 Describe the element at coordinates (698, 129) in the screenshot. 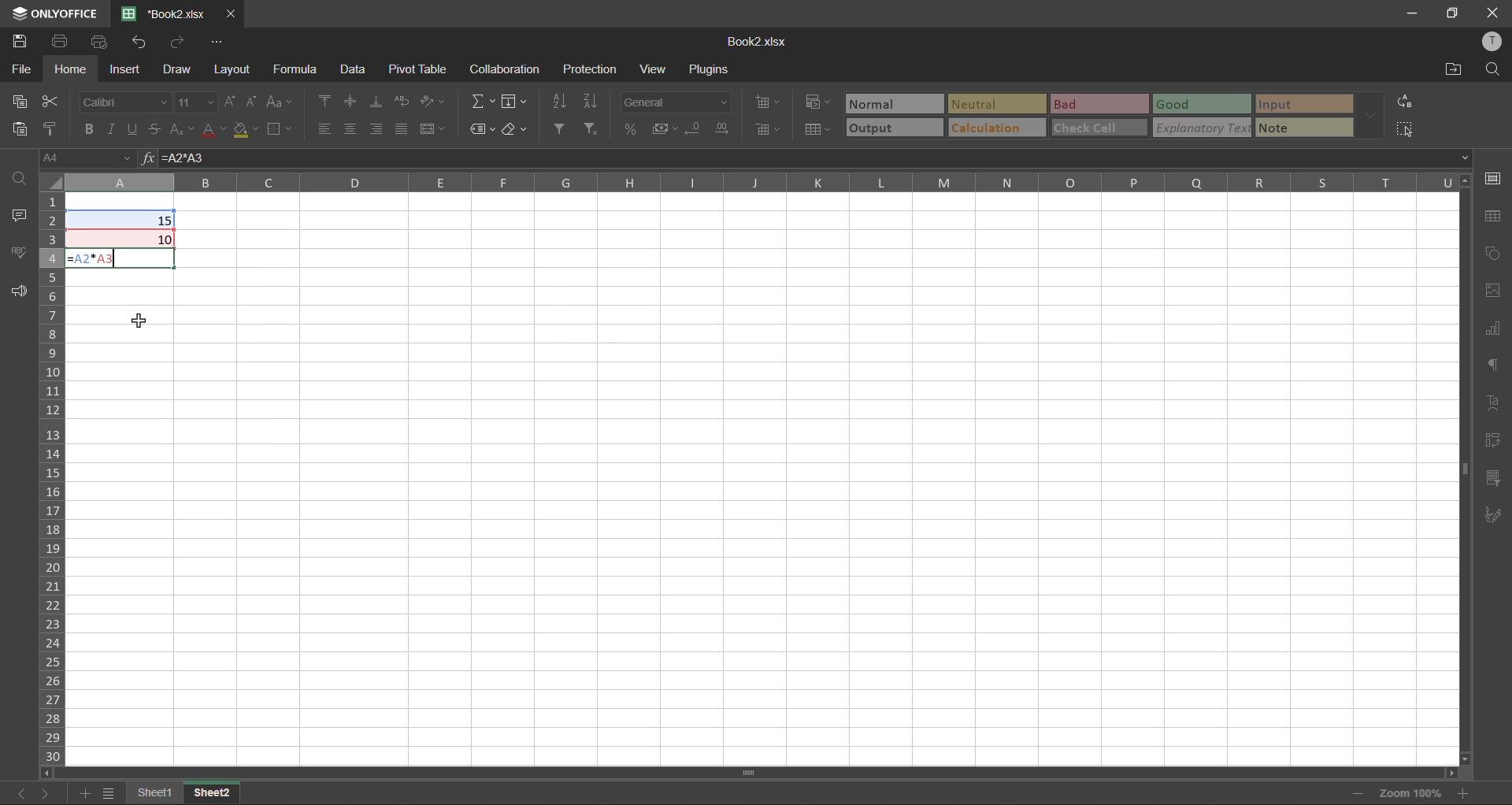

I see `decrease decimal` at that location.